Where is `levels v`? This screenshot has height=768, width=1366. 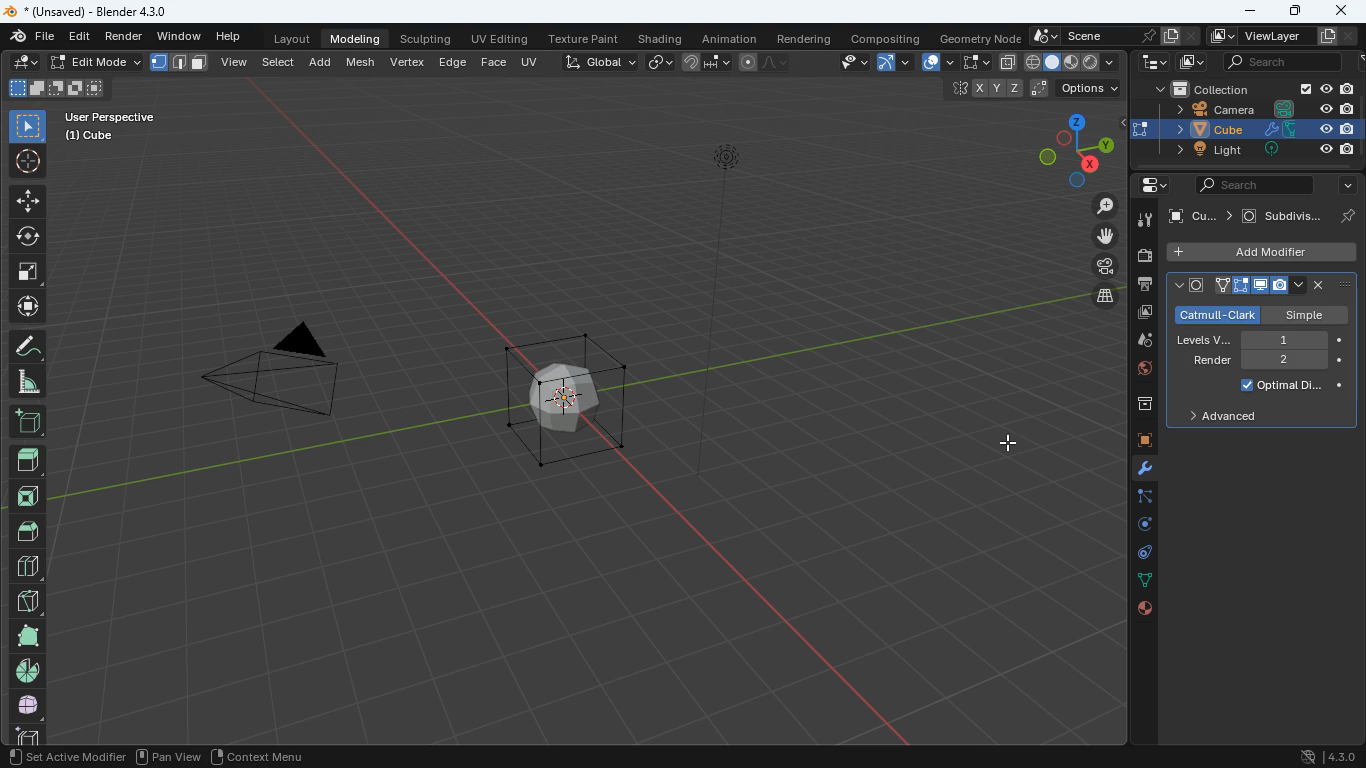 levels v is located at coordinates (1252, 340).